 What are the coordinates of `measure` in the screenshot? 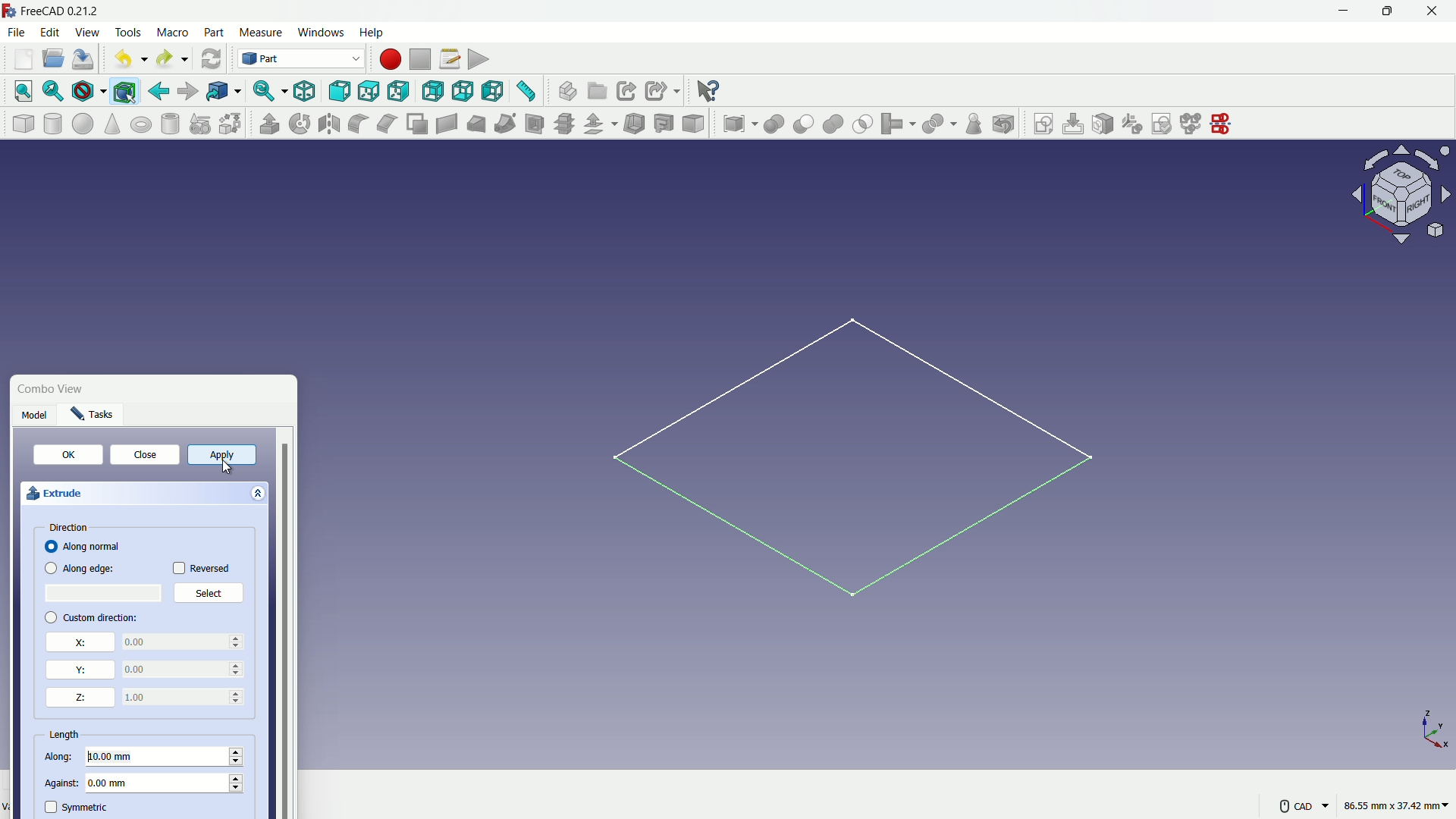 It's located at (528, 91).